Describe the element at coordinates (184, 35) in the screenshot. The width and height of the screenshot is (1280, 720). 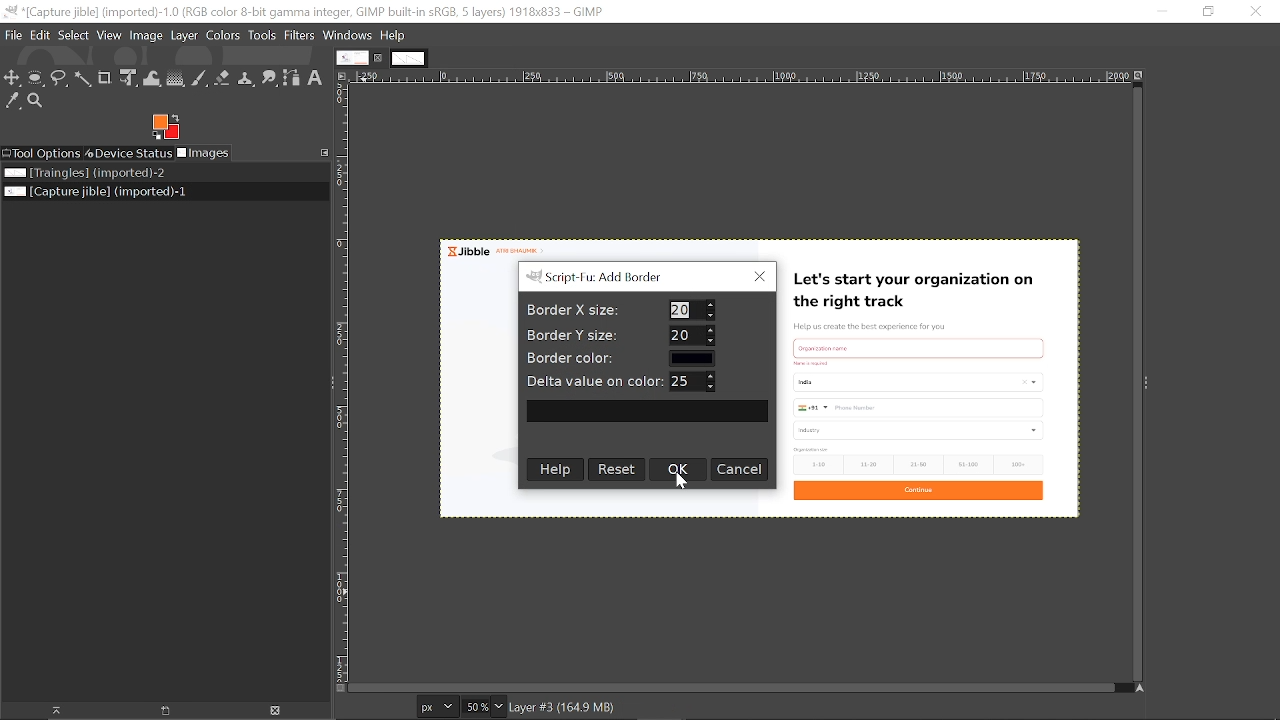
I see `Layer` at that location.